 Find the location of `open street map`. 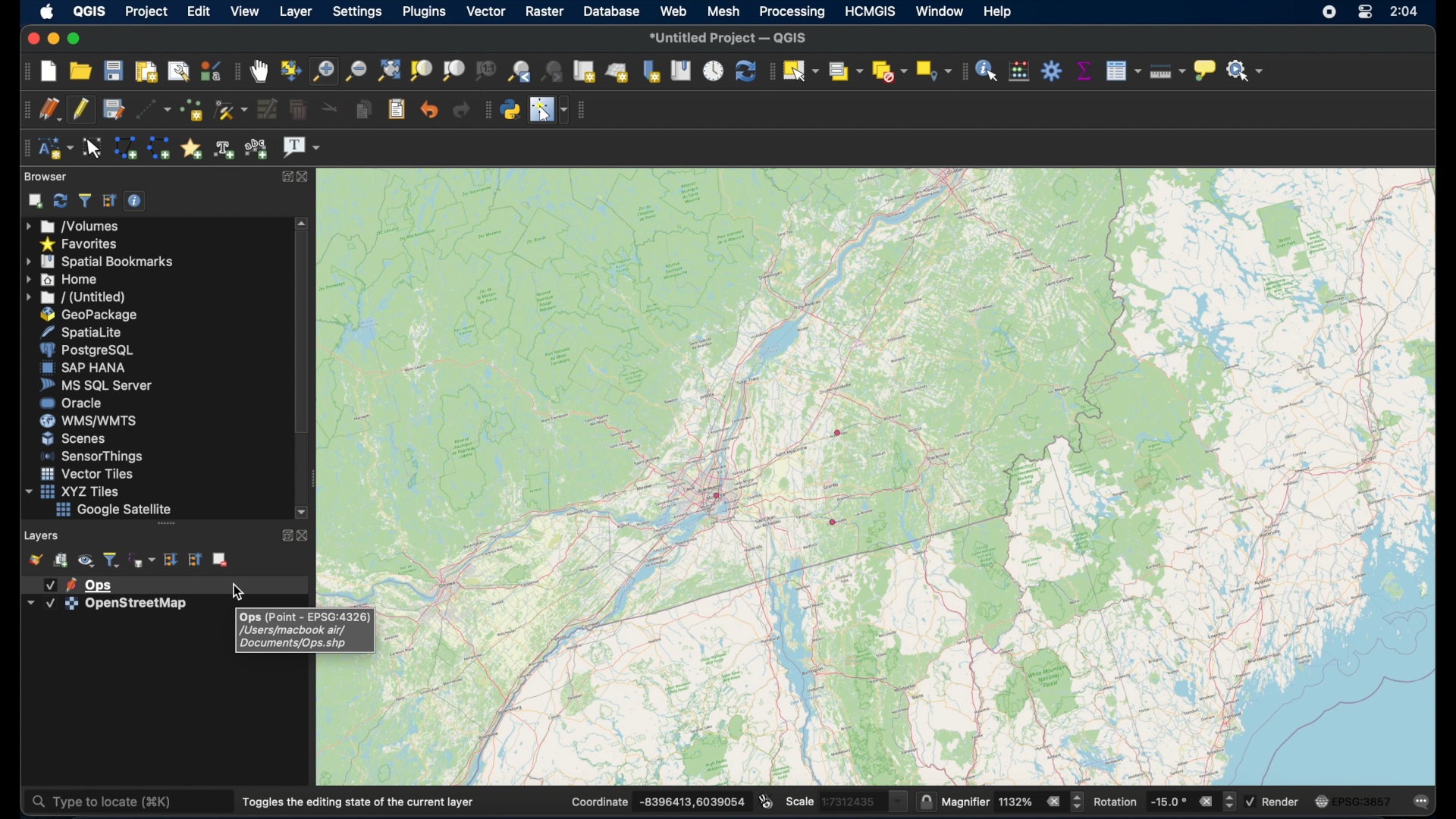

open street map is located at coordinates (755, 453).